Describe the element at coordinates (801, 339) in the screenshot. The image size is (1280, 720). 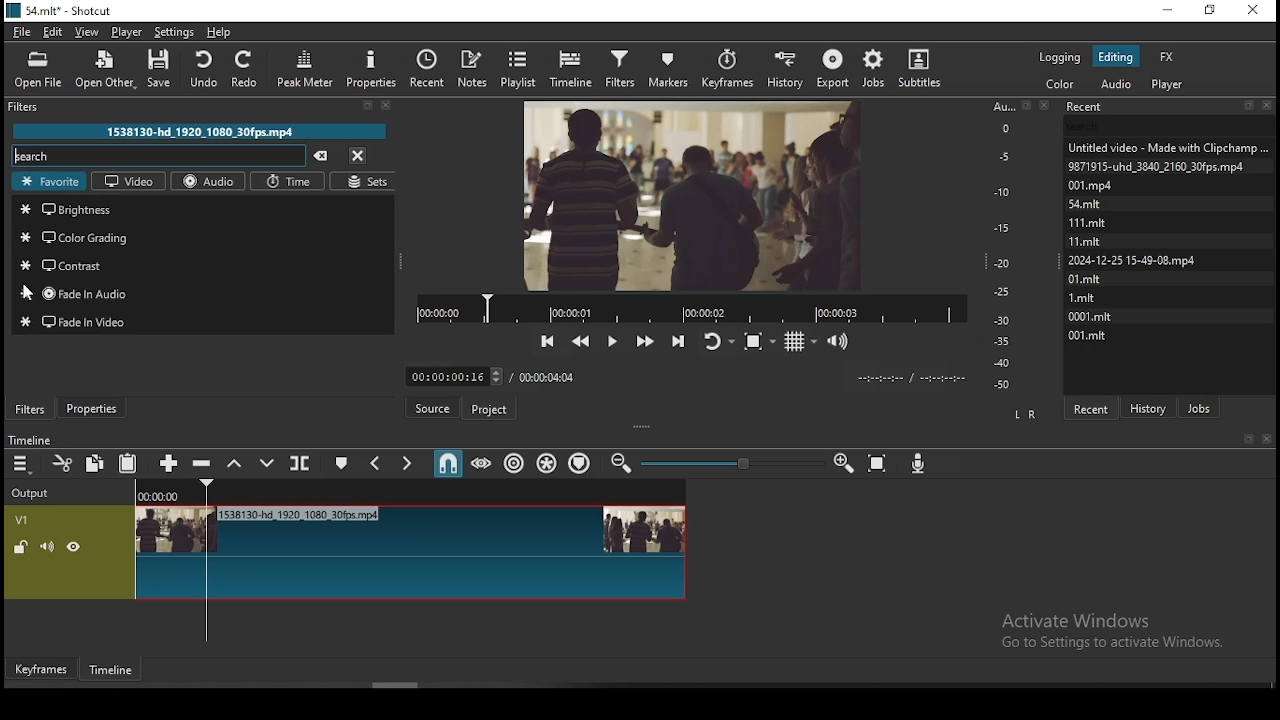
I see `toggle grid display on the player` at that location.